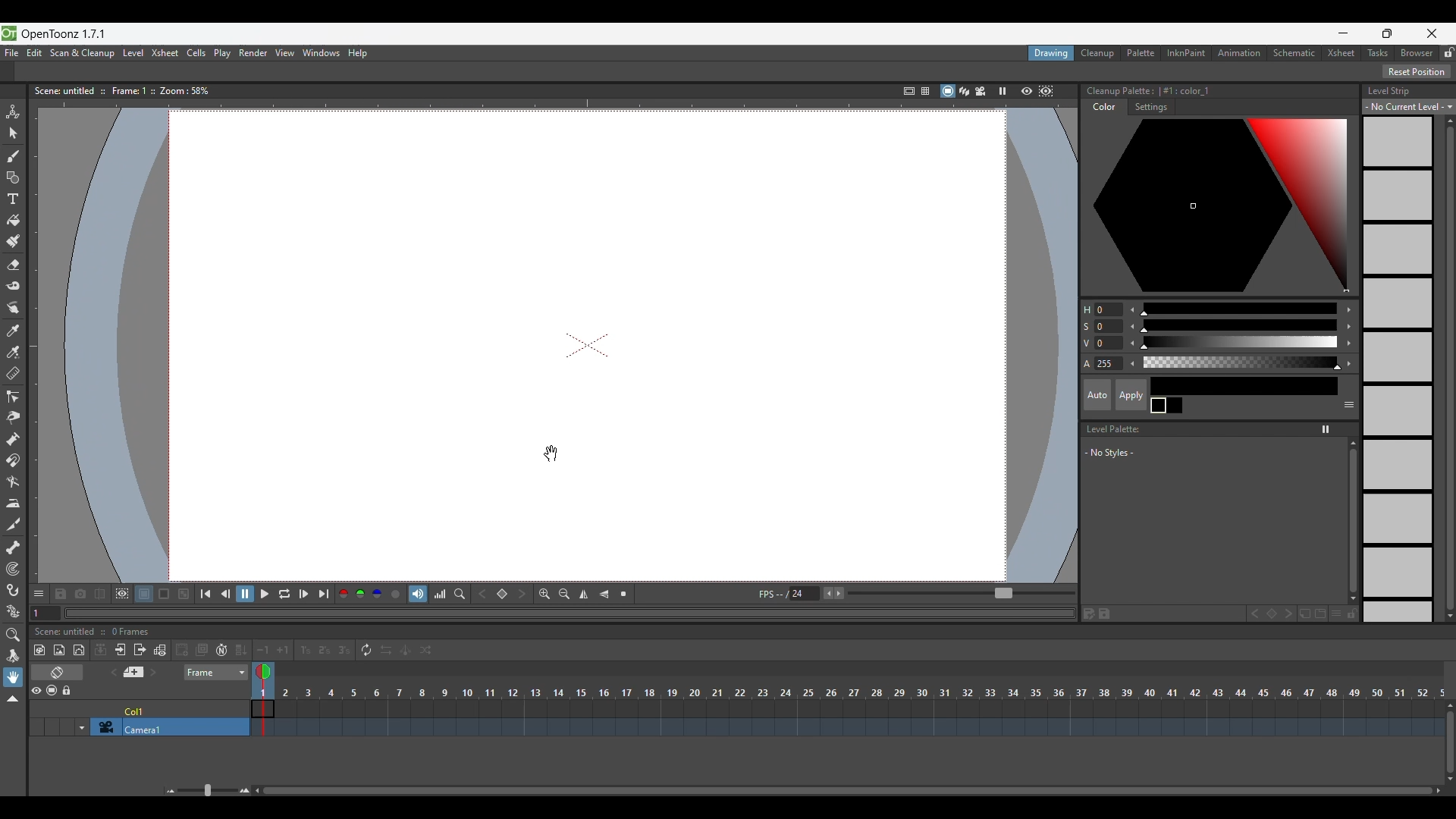 The image size is (1456, 819). I want to click on Render, so click(253, 53).